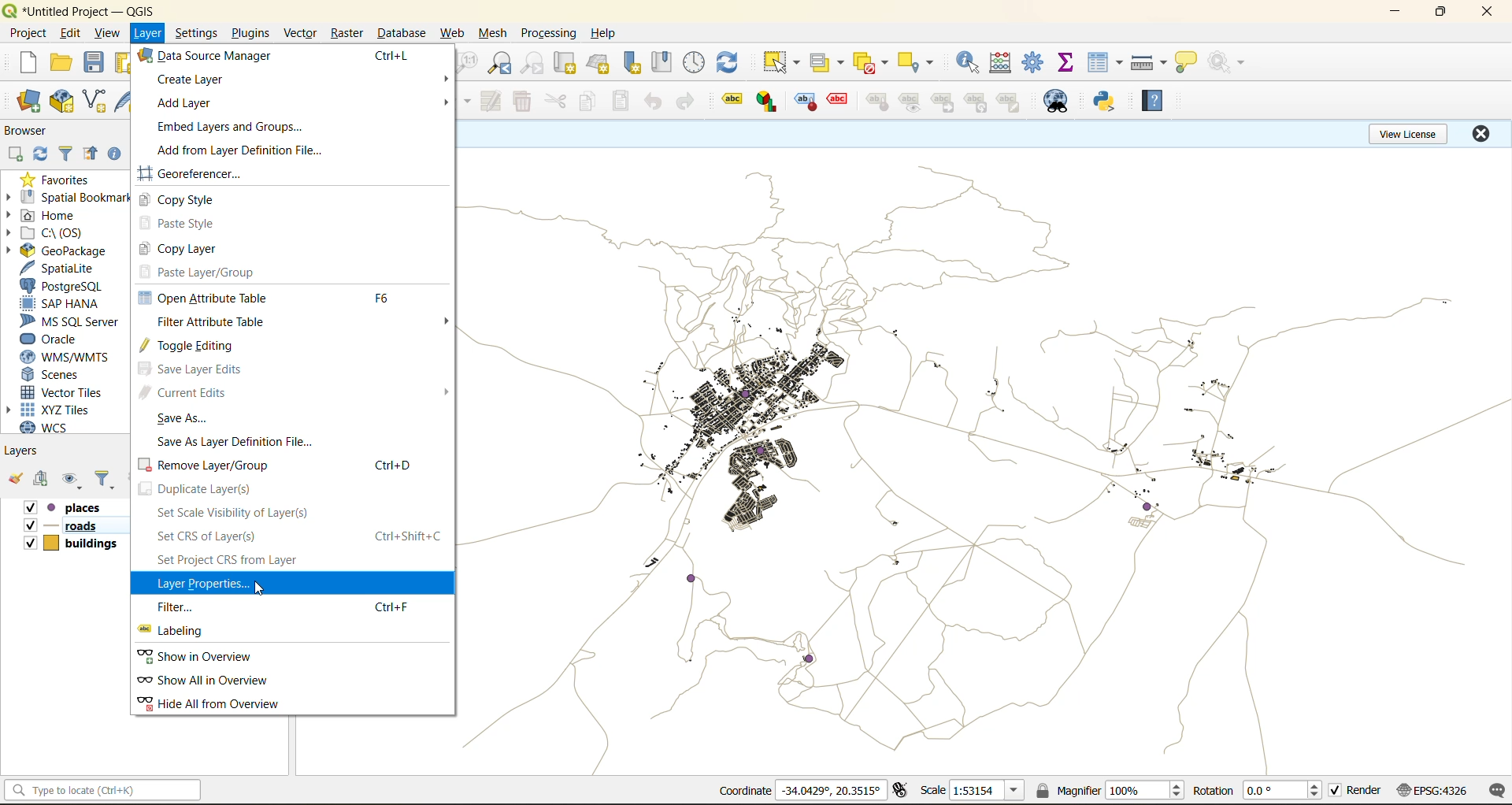 This screenshot has width=1512, height=805. What do you see at coordinates (836, 100) in the screenshot?
I see `label tool 4` at bounding box center [836, 100].